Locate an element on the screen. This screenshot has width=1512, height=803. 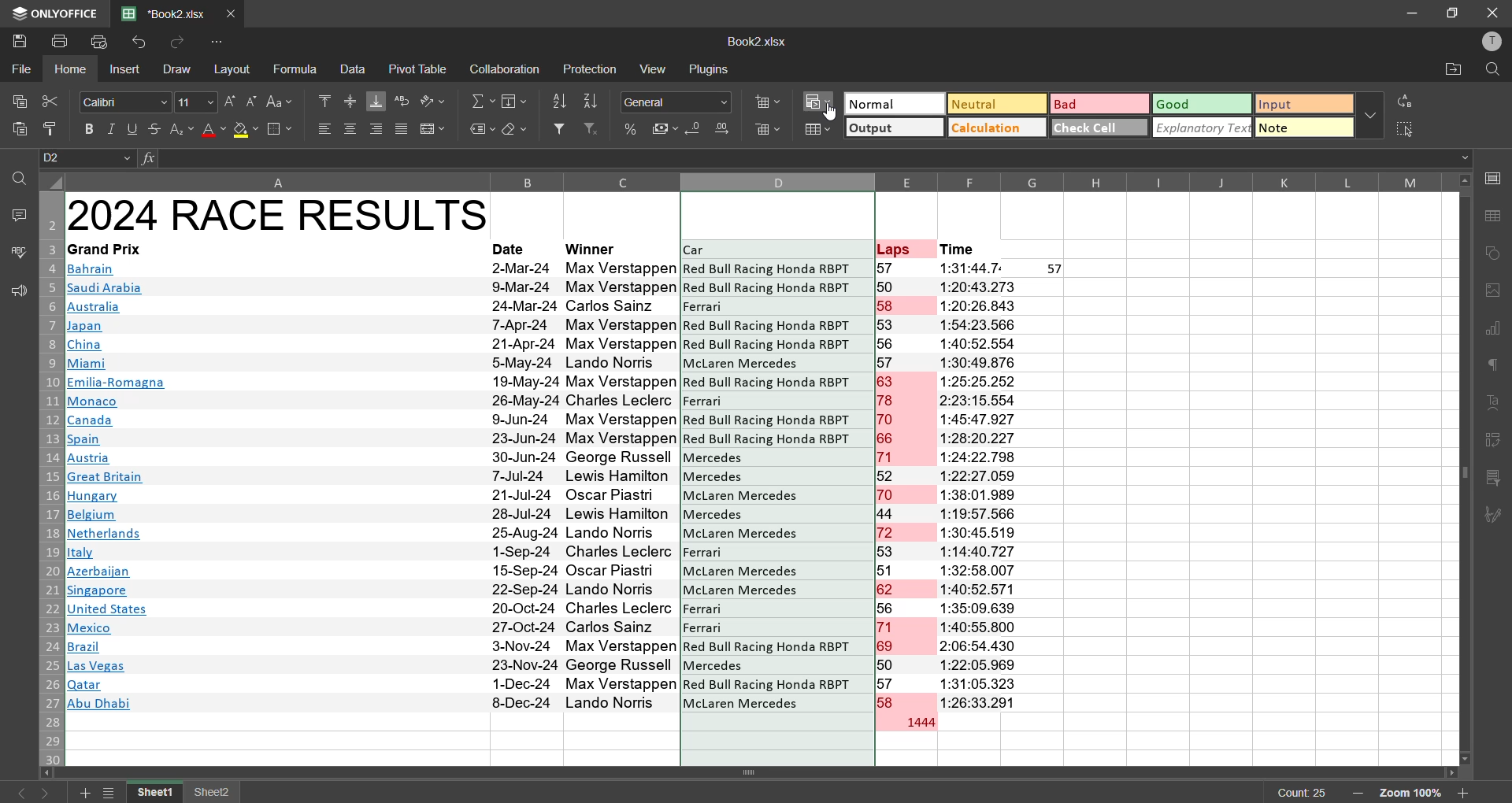
previous is located at coordinates (17, 793).